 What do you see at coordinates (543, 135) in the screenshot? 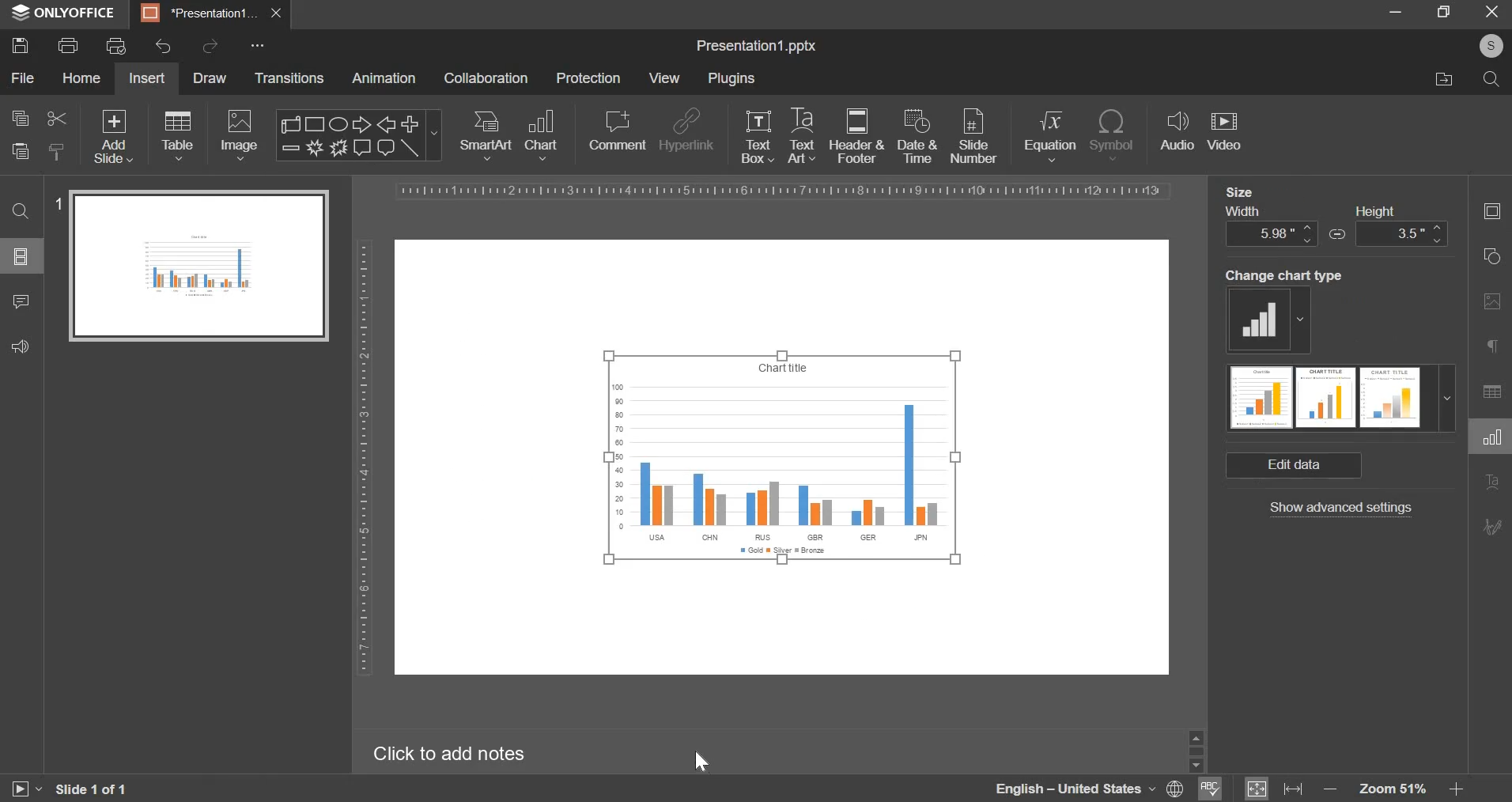
I see `chart` at bounding box center [543, 135].